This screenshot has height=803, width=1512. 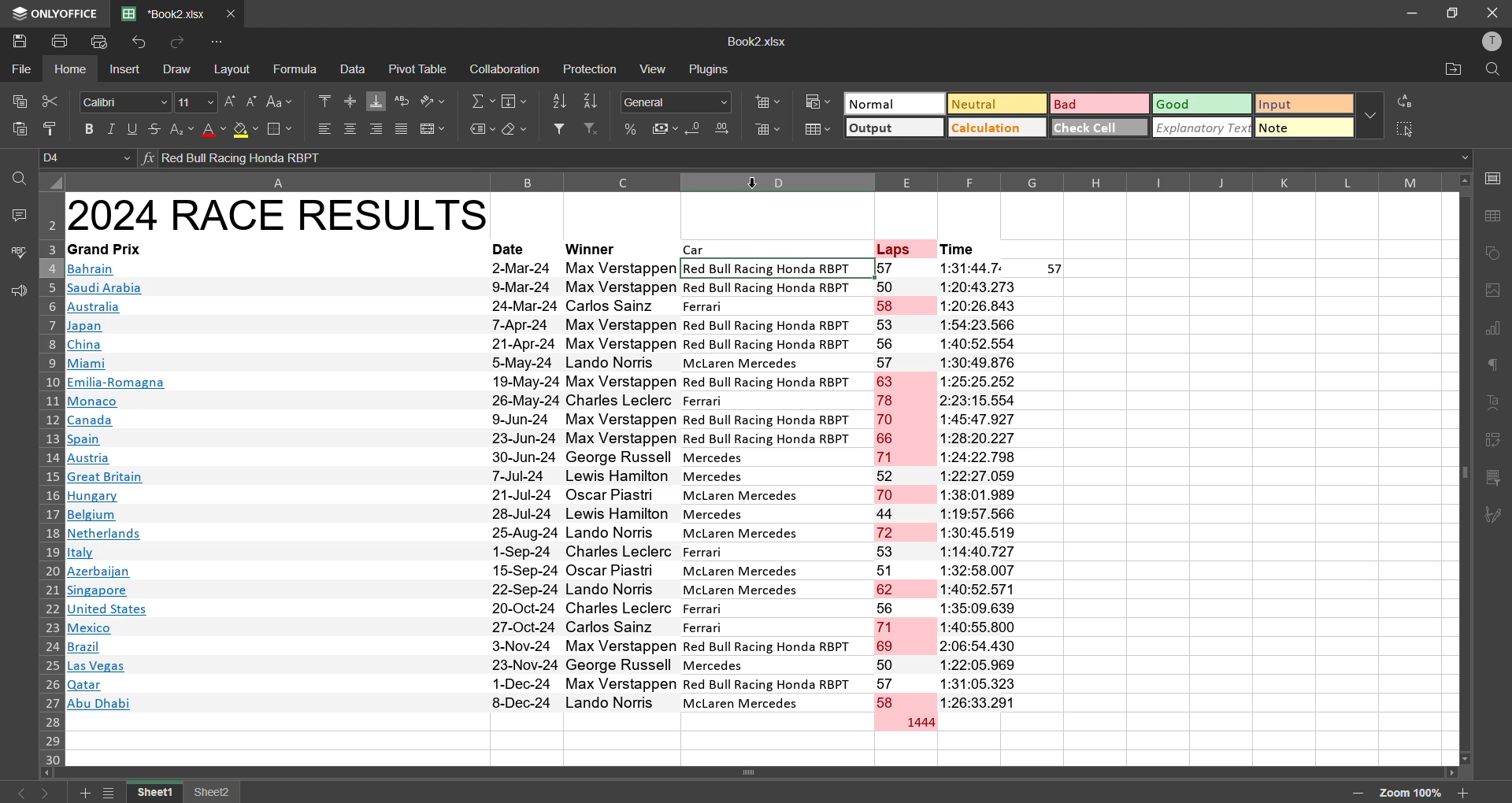 What do you see at coordinates (283, 101) in the screenshot?
I see `change case` at bounding box center [283, 101].